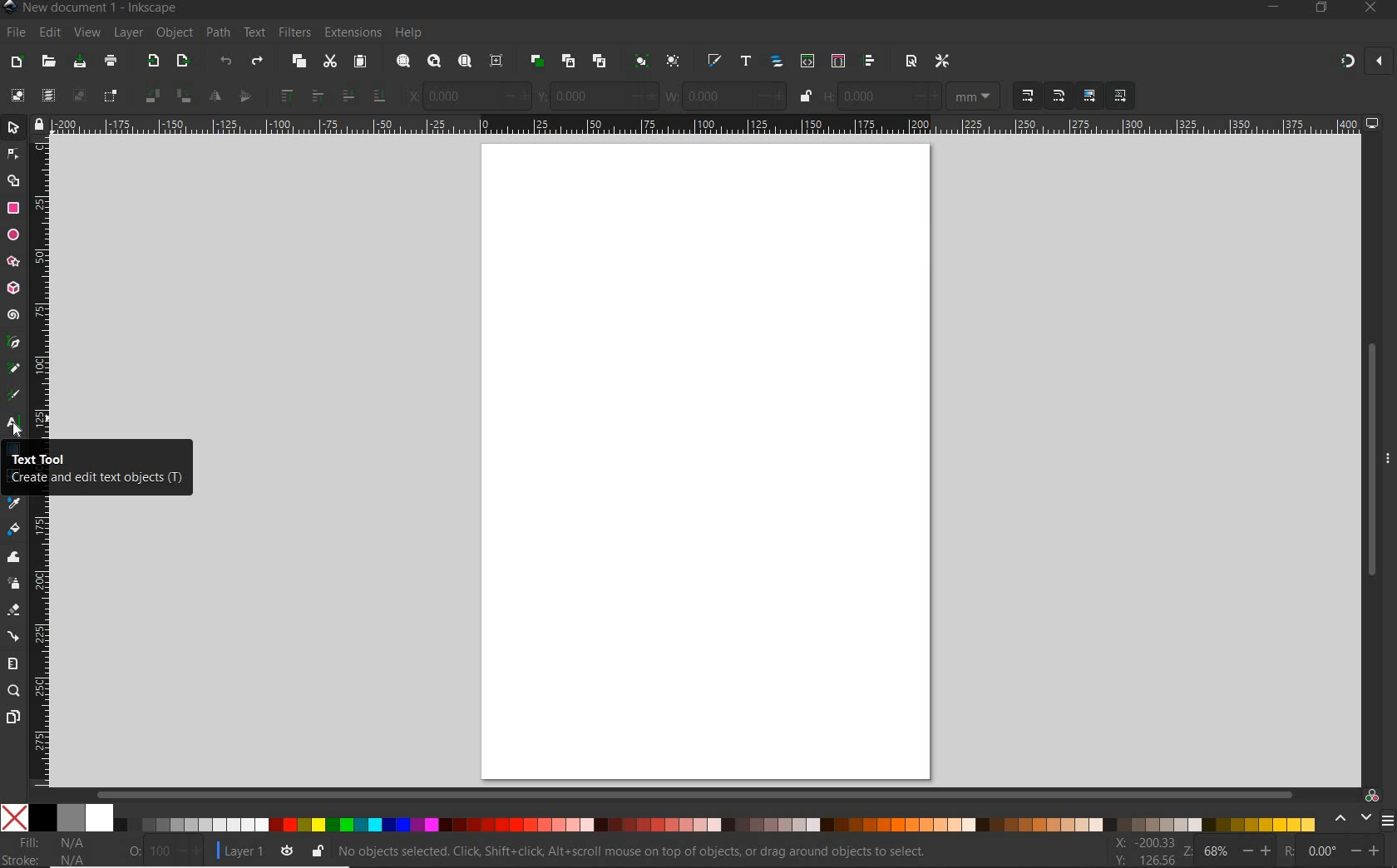  What do you see at coordinates (466, 62) in the screenshot?
I see `zoom page` at bounding box center [466, 62].